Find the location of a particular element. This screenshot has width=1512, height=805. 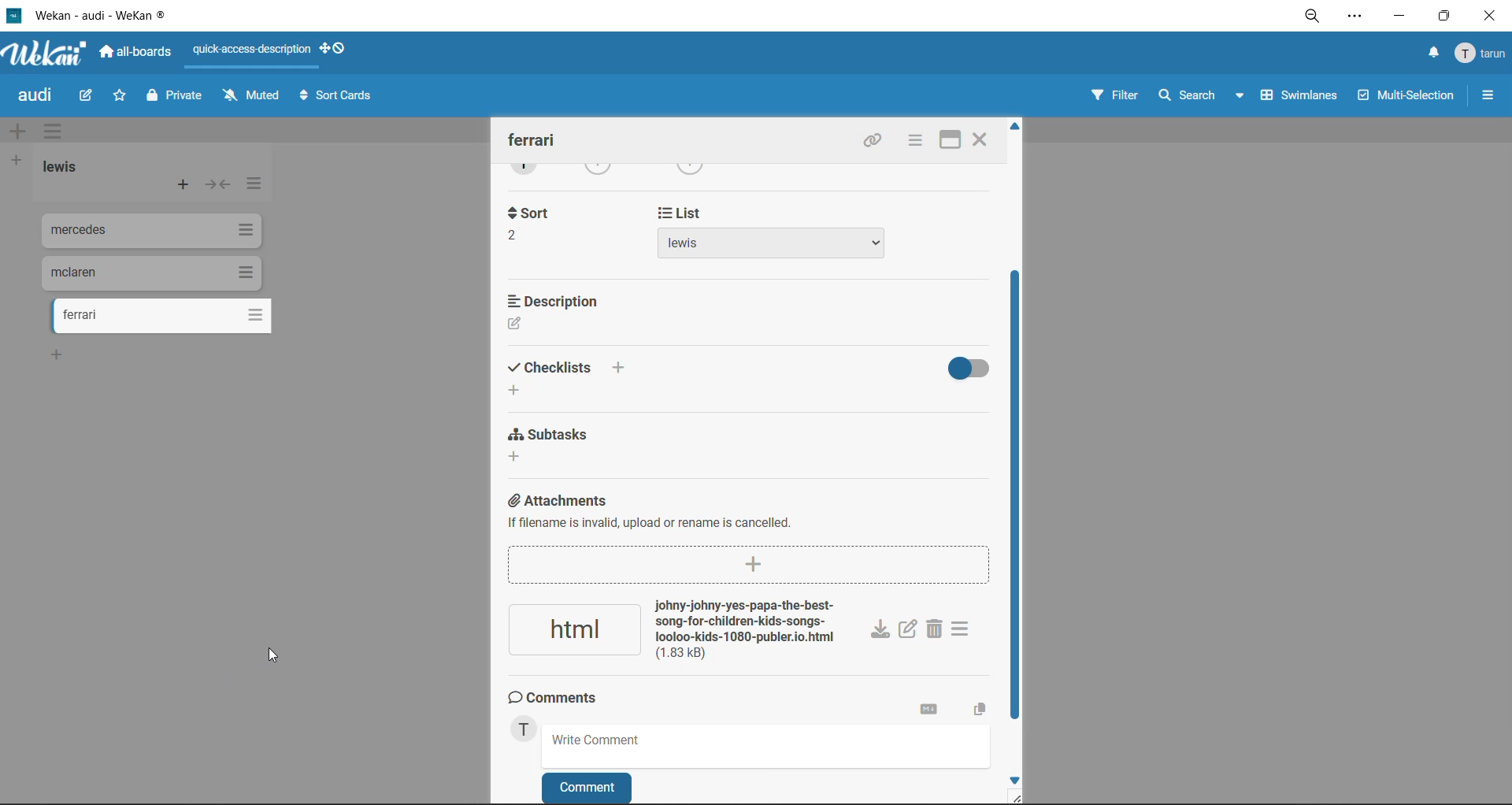

all boards is located at coordinates (136, 54).